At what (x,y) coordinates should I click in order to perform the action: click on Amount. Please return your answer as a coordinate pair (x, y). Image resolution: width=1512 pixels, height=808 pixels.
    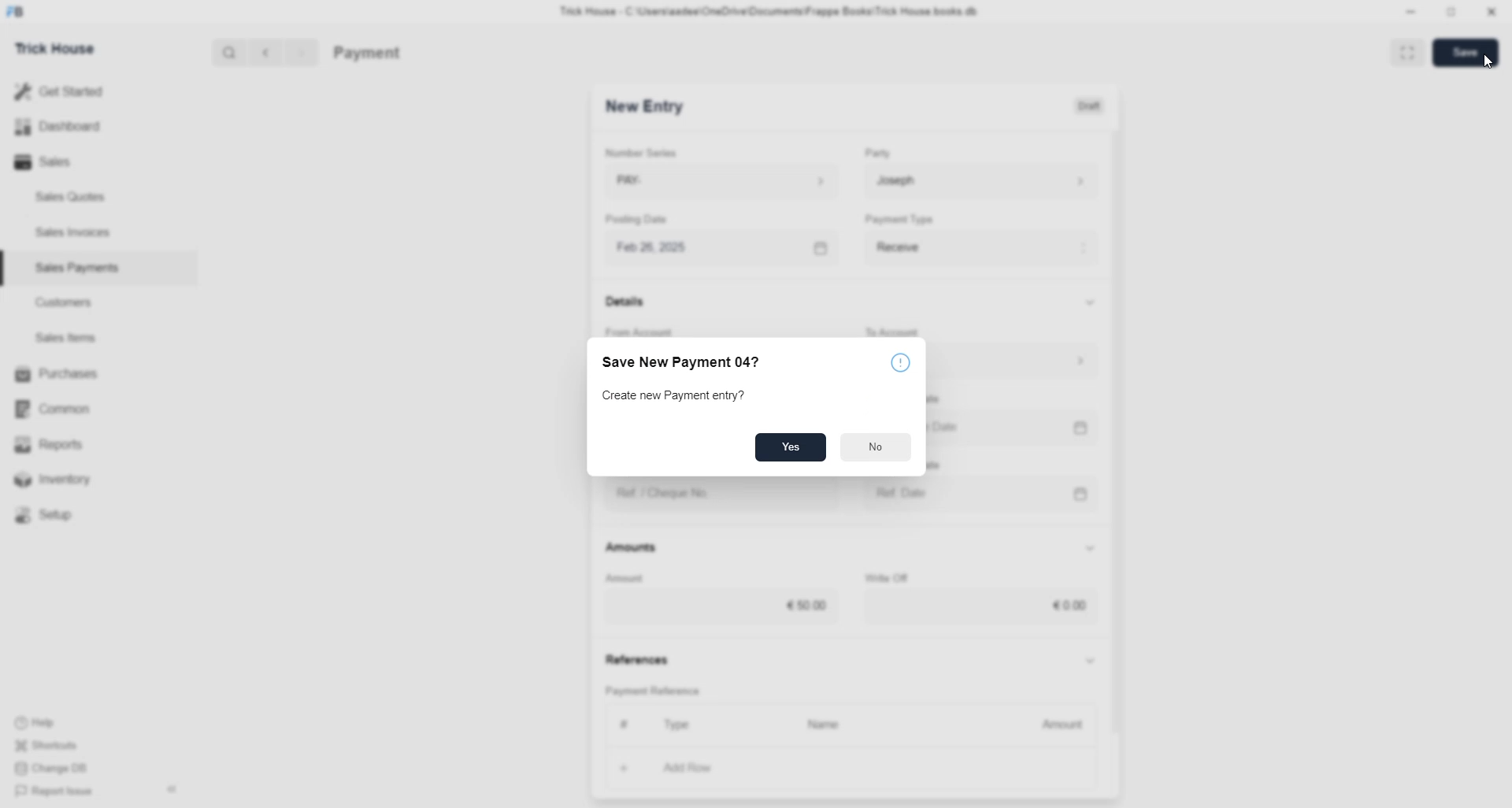
    Looking at the image, I should click on (626, 579).